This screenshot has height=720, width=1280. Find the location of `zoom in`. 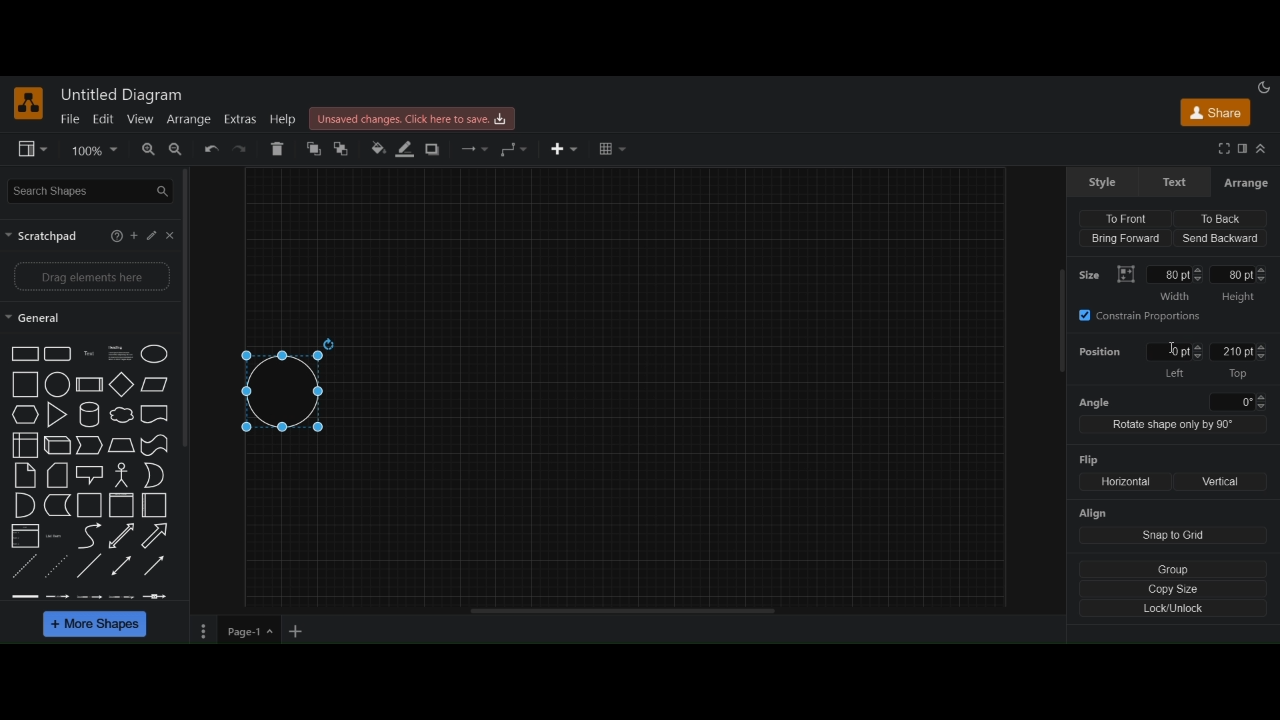

zoom in is located at coordinates (146, 150).